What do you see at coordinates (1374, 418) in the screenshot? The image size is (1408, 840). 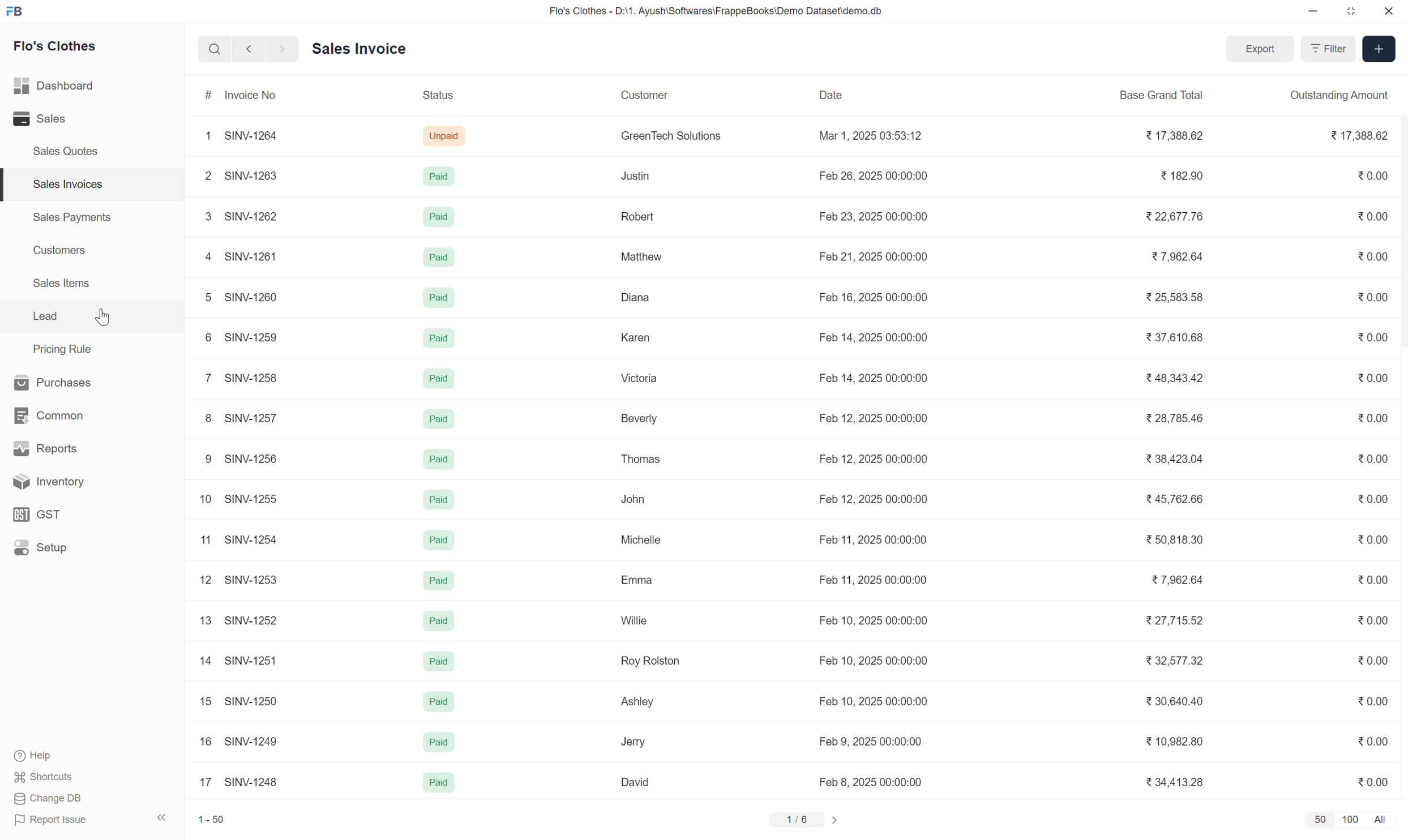 I see `0.00` at bounding box center [1374, 418].